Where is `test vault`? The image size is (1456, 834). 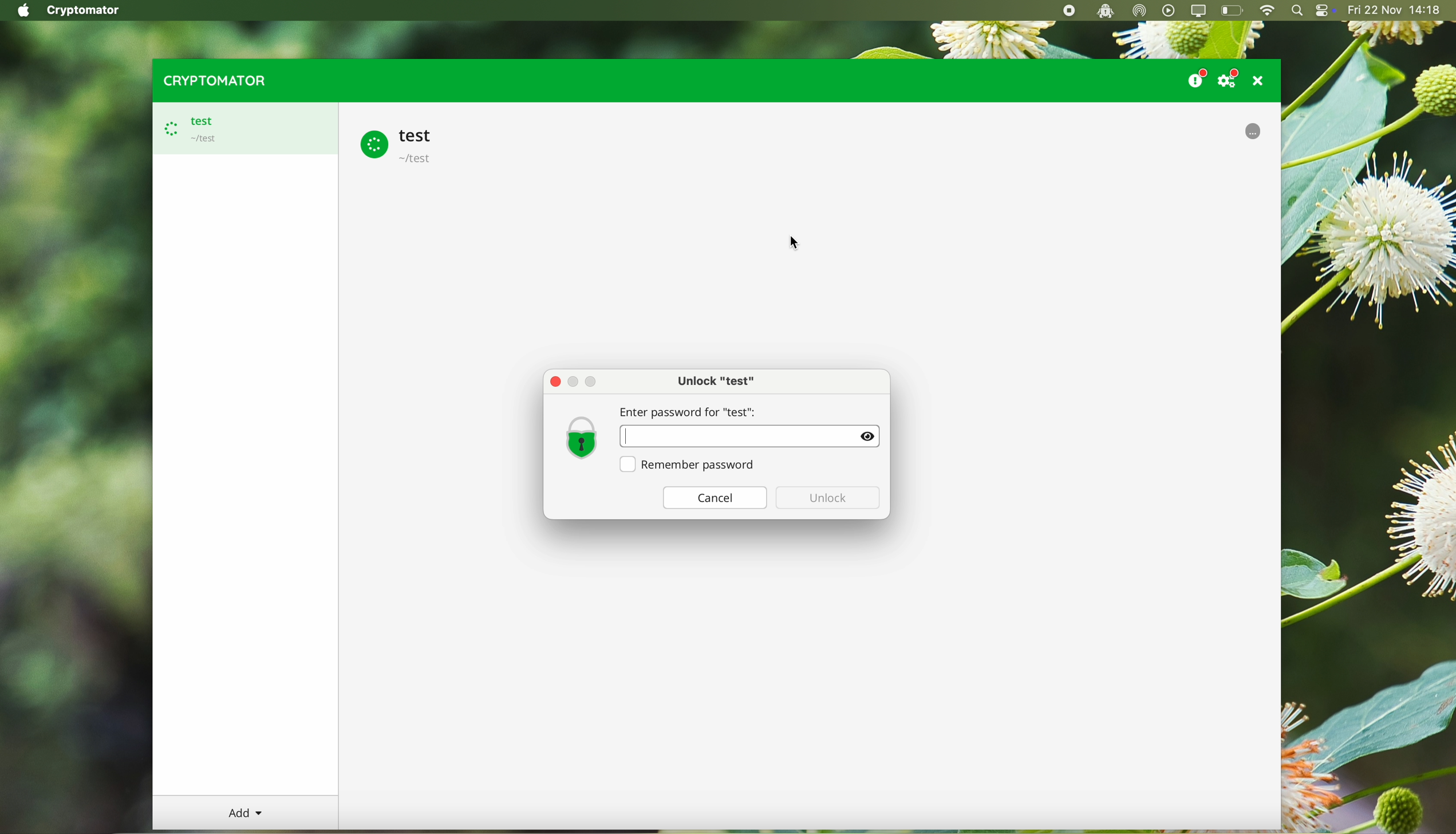
test vault is located at coordinates (401, 144).